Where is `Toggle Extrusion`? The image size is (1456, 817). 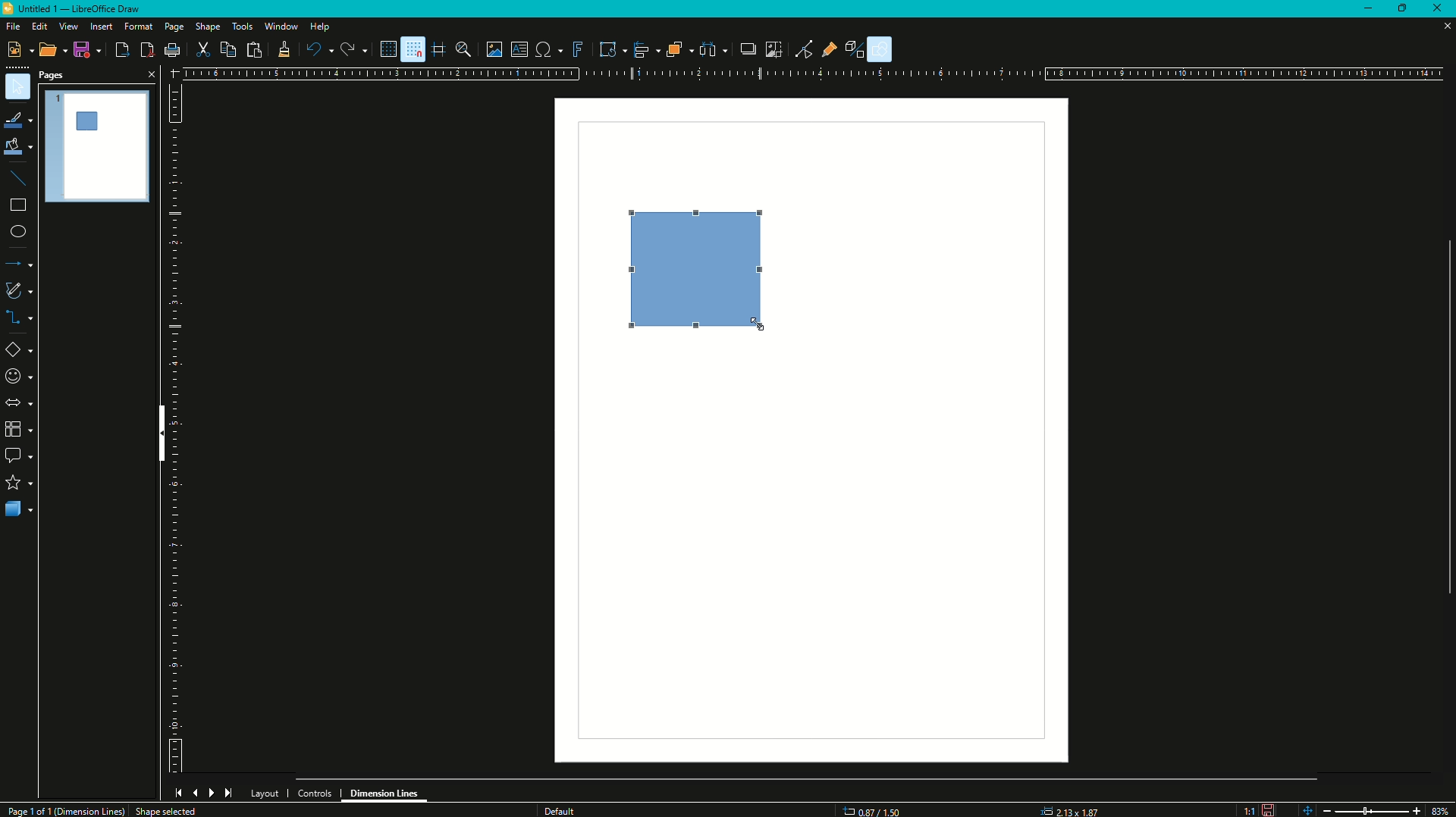 Toggle Extrusion is located at coordinates (858, 48).